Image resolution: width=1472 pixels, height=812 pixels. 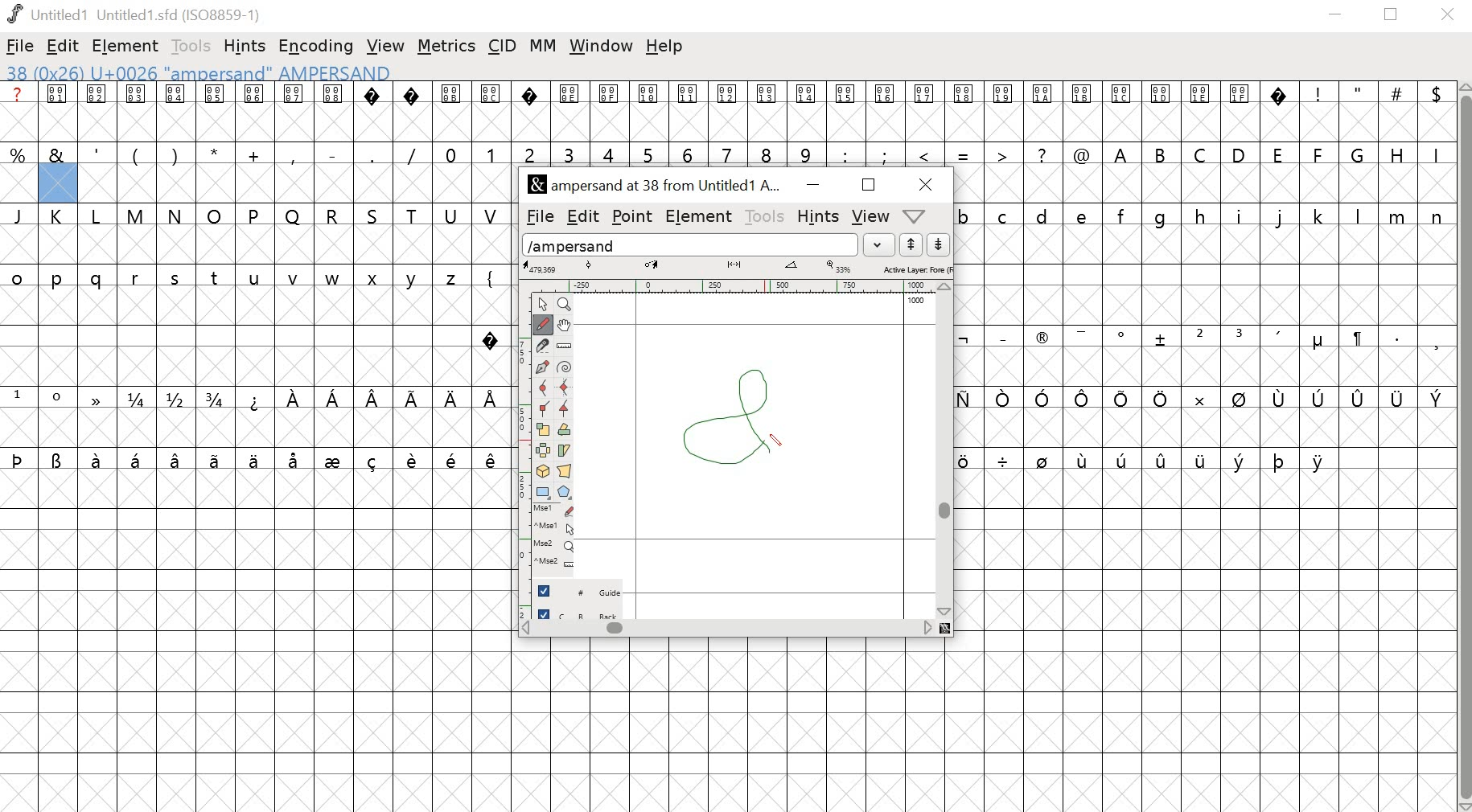 What do you see at coordinates (1359, 154) in the screenshot?
I see `G` at bounding box center [1359, 154].